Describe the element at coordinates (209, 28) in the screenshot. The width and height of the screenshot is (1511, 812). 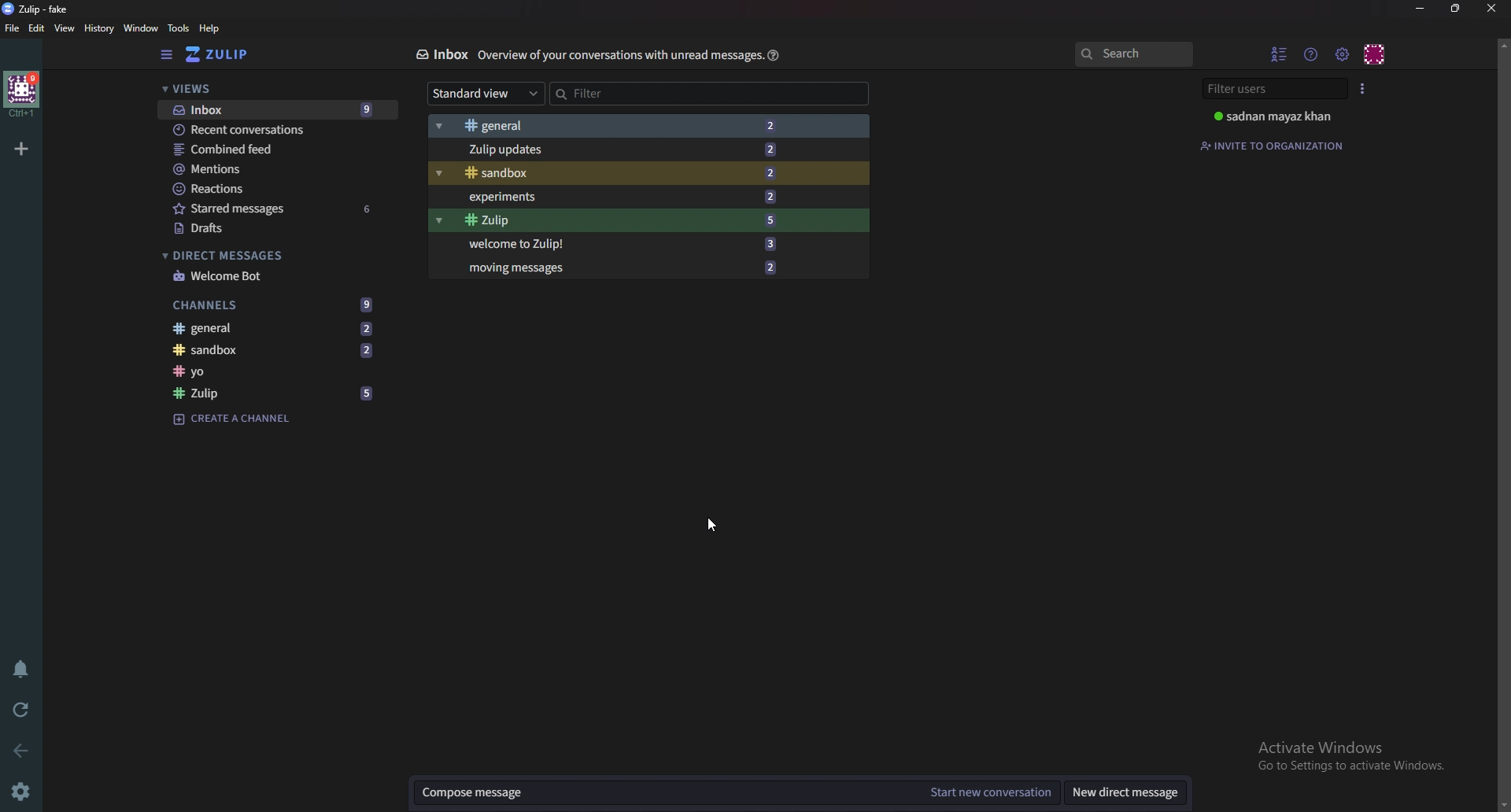
I see `help` at that location.